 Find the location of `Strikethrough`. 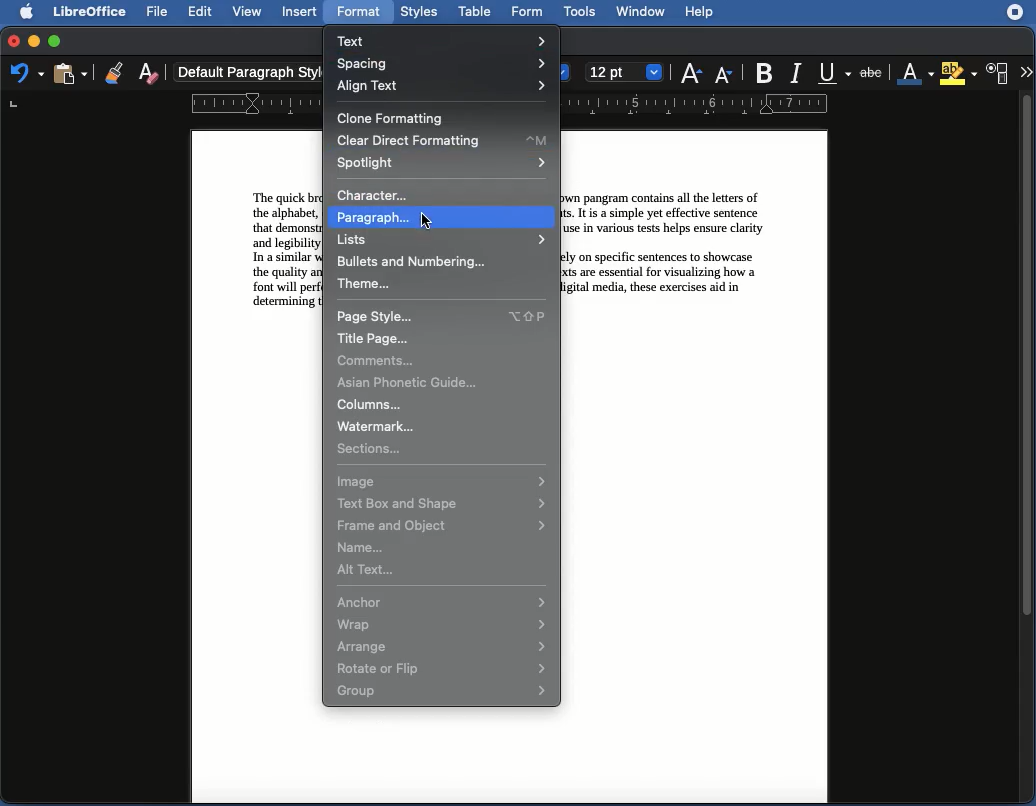

Strikethrough is located at coordinates (875, 73).